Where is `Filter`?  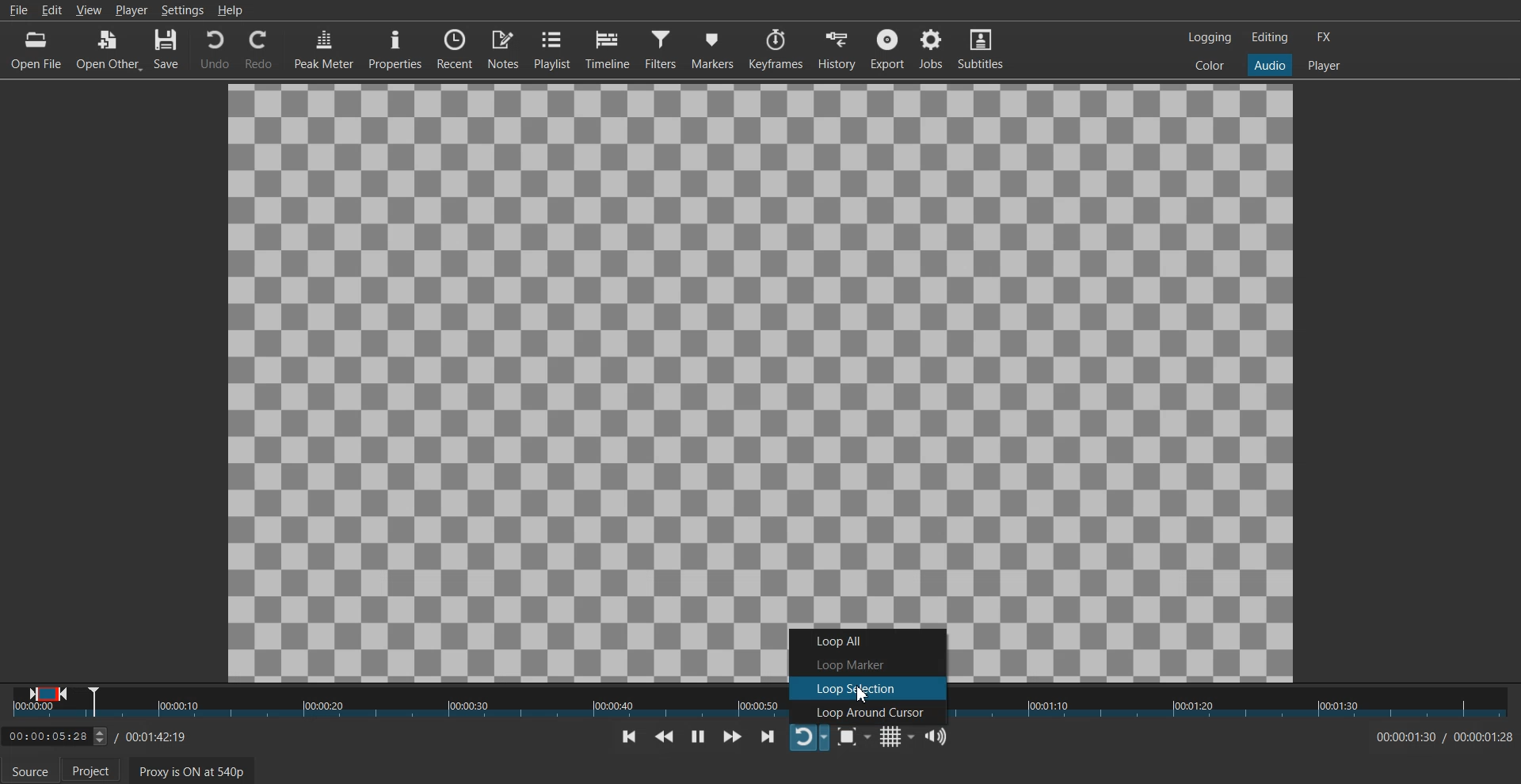
Filter is located at coordinates (661, 49).